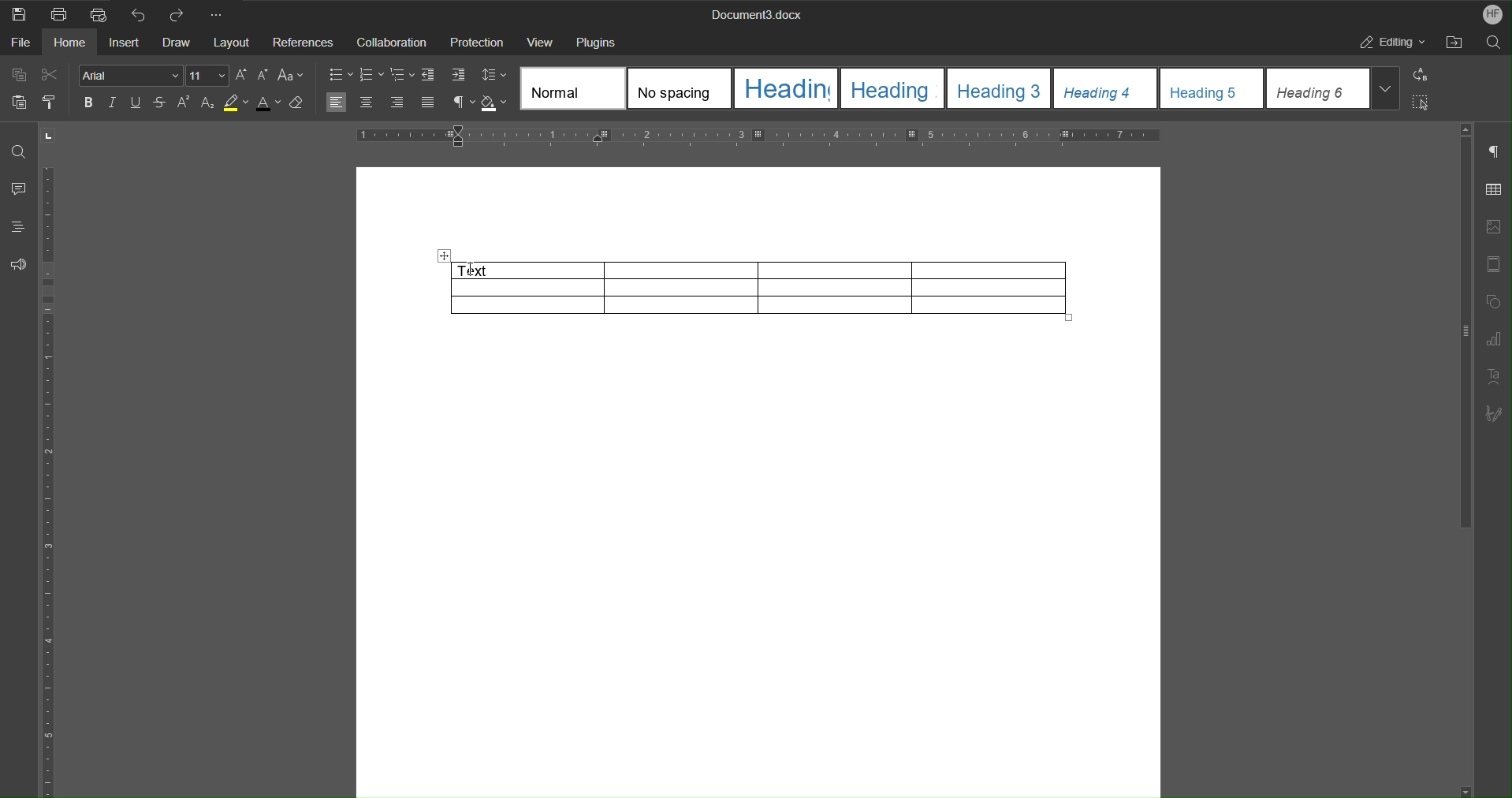 This screenshot has width=1512, height=798. What do you see at coordinates (750, 287) in the screenshot?
I see `Table` at bounding box center [750, 287].